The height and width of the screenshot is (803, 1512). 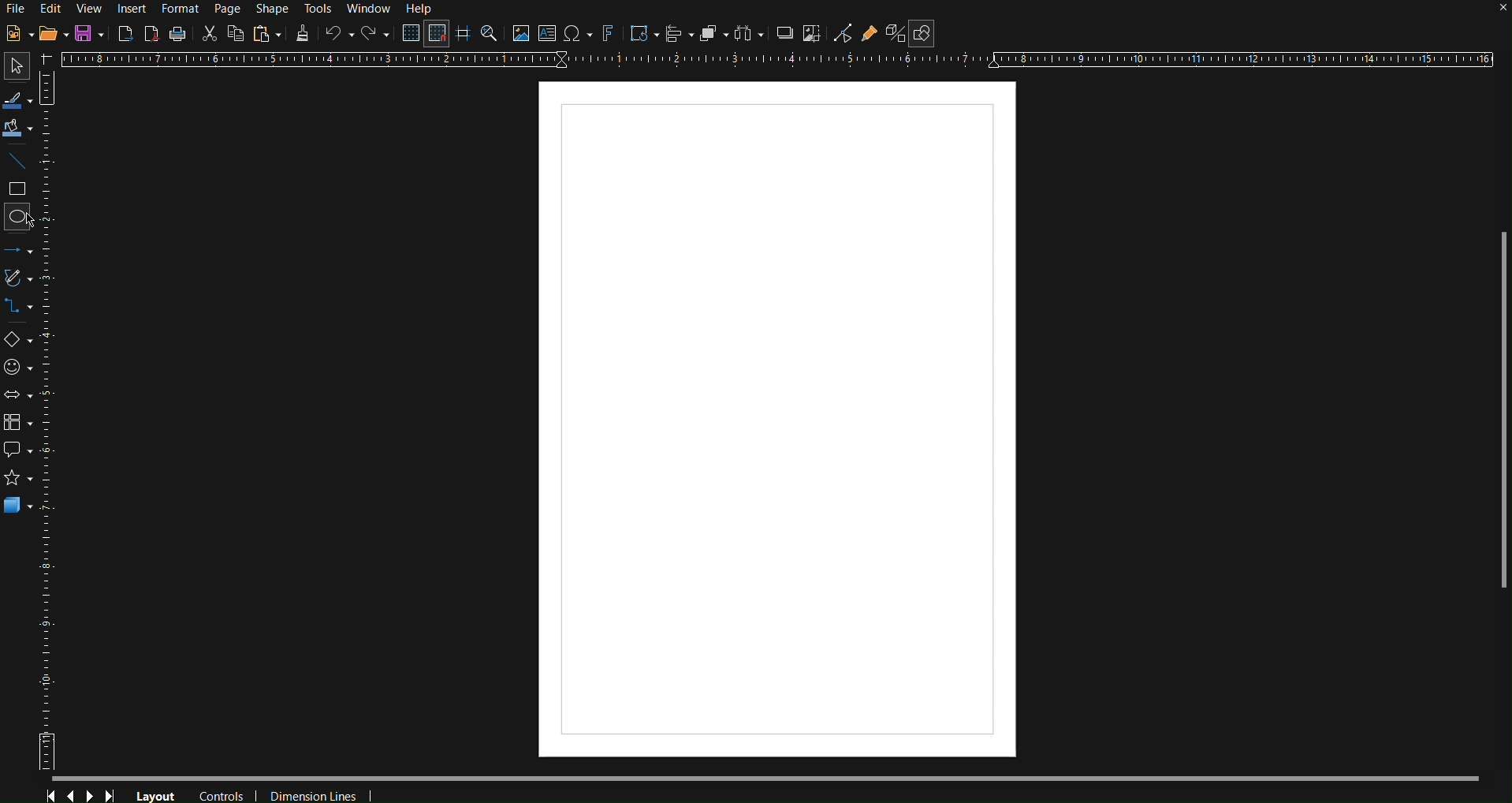 I want to click on Lines and Arrows, so click(x=23, y=249).